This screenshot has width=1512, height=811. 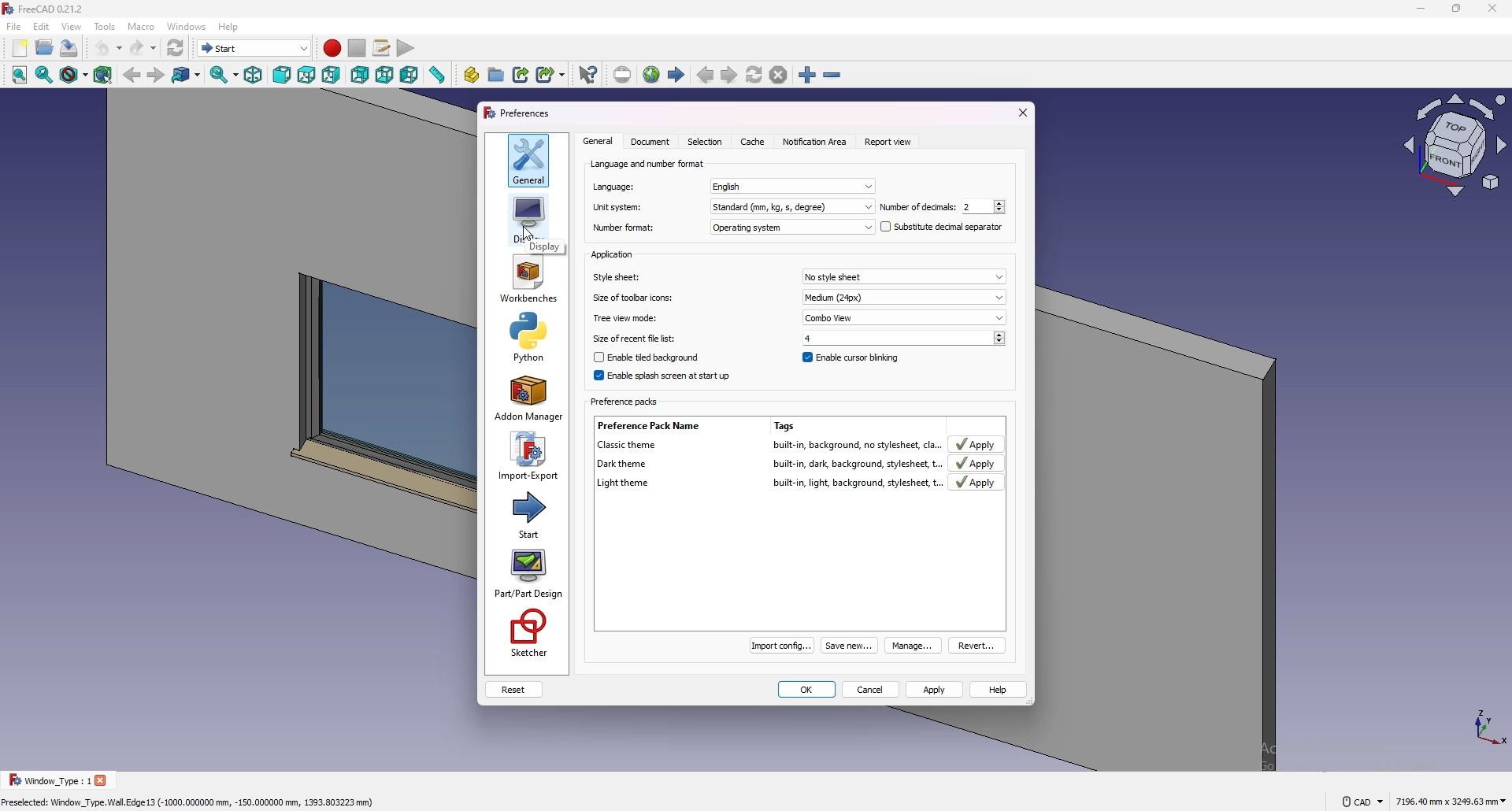 I want to click on Display, so click(x=547, y=248).